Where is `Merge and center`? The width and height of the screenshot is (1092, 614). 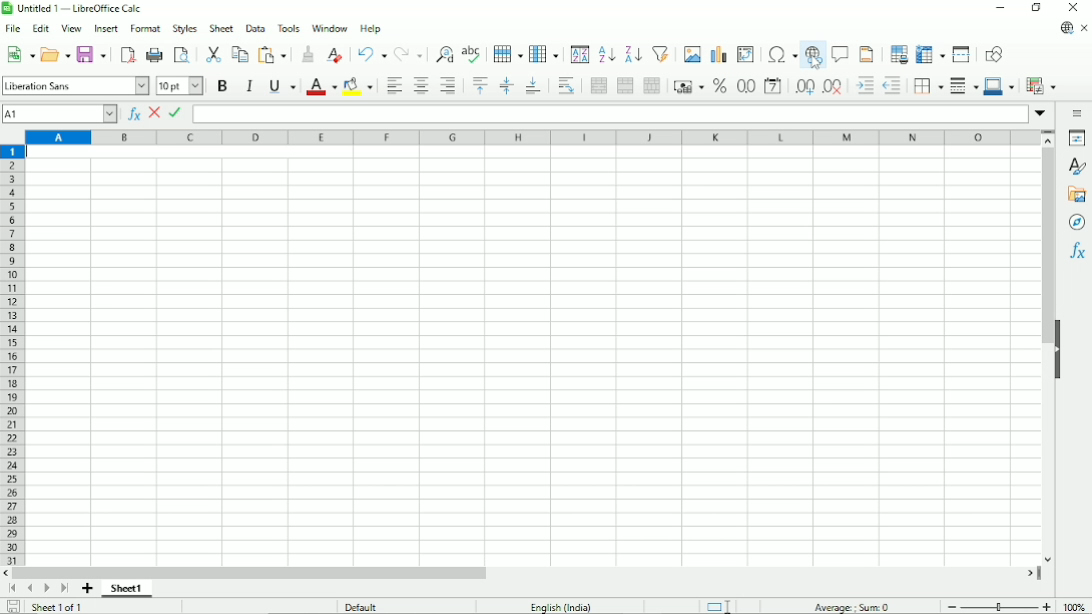
Merge and center is located at coordinates (597, 86).